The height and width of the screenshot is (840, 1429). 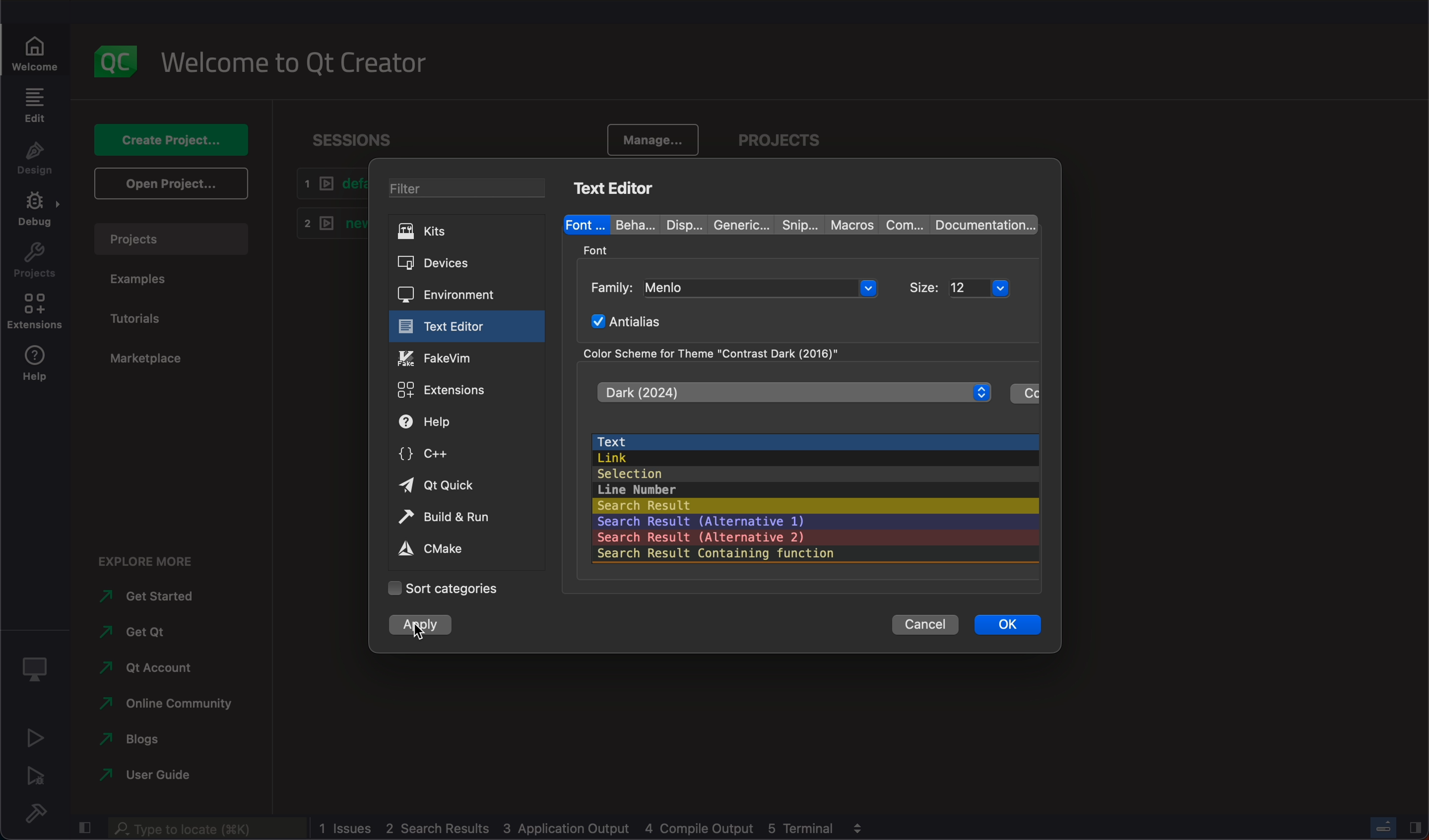 I want to click on font, so click(x=601, y=248).